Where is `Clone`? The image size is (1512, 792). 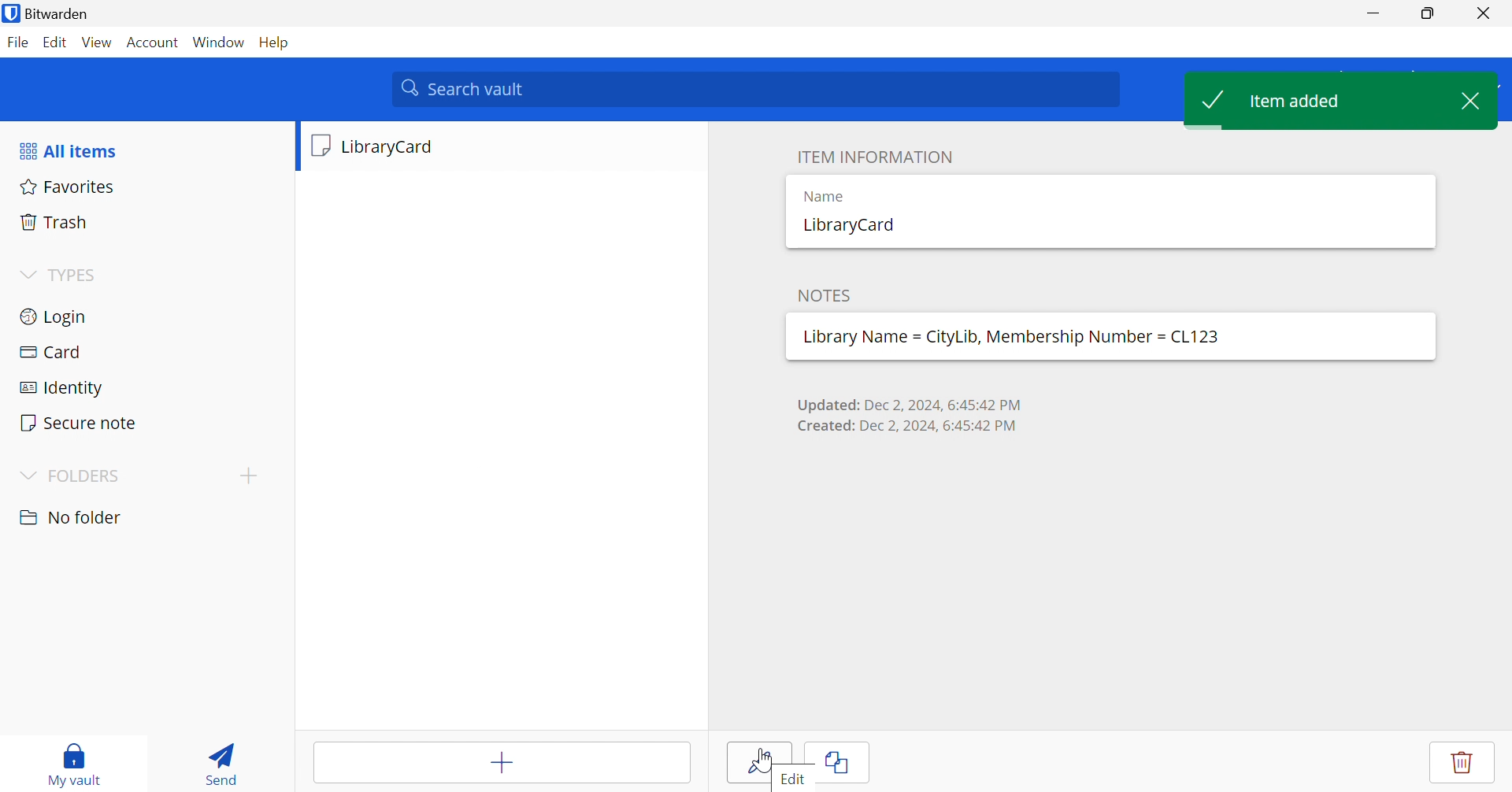
Clone is located at coordinates (839, 761).